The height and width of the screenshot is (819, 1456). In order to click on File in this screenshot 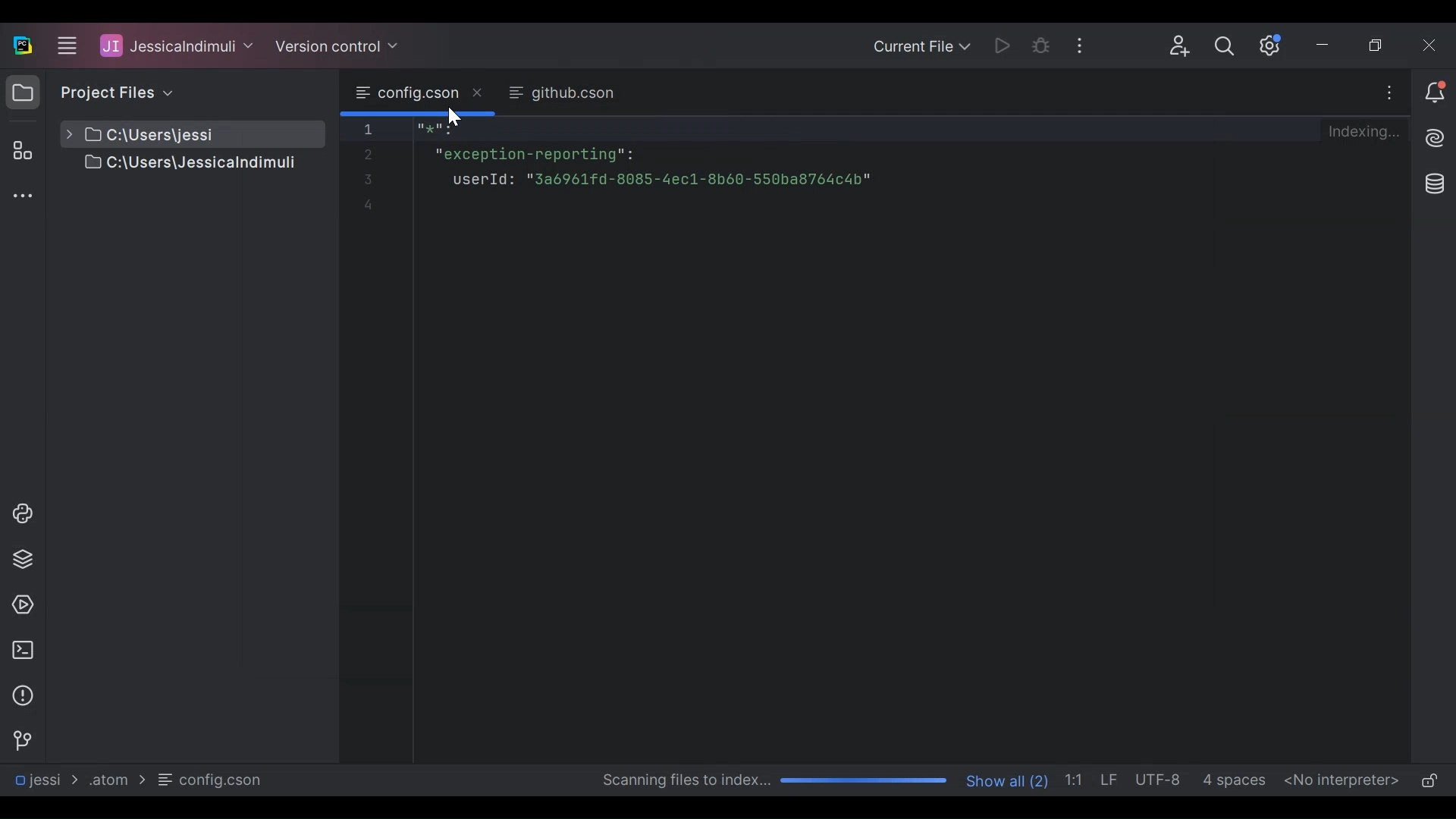, I will do `click(212, 780)`.